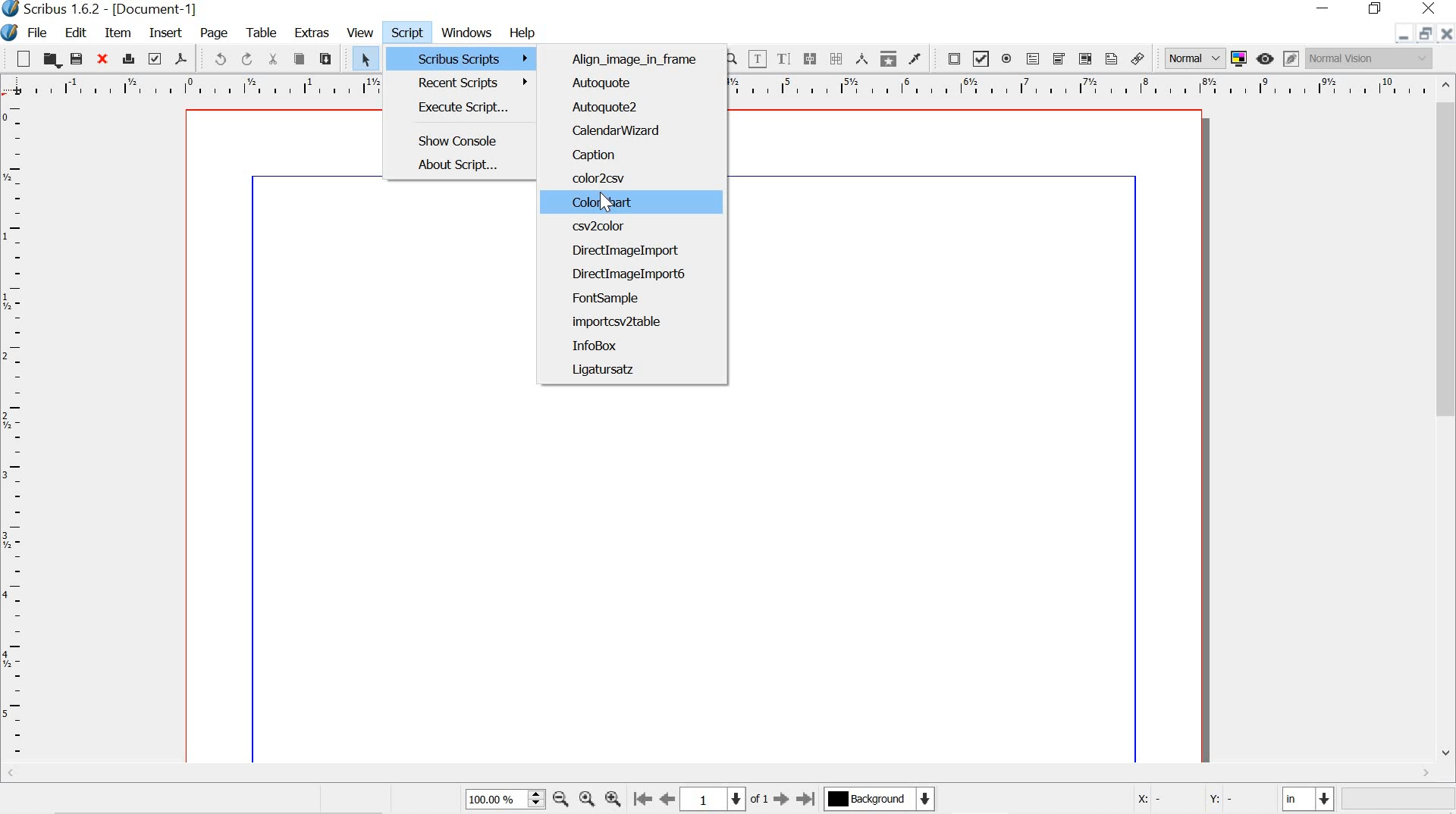 The image size is (1456, 814). Describe the element at coordinates (466, 142) in the screenshot. I see `show console` at that location.